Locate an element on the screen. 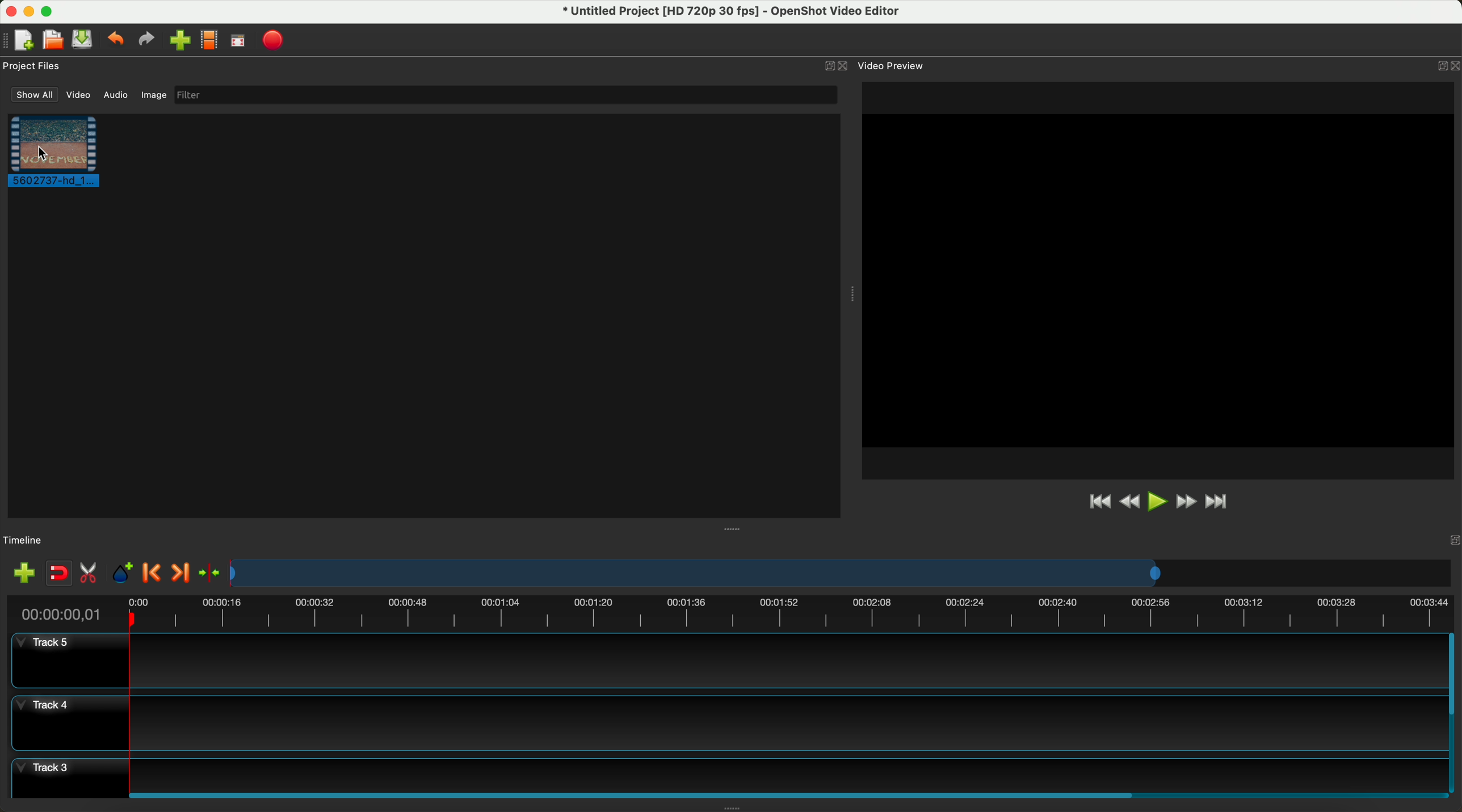 This screenshot has height=812, width=1462. rewind is located at coordinates (1128, 504).